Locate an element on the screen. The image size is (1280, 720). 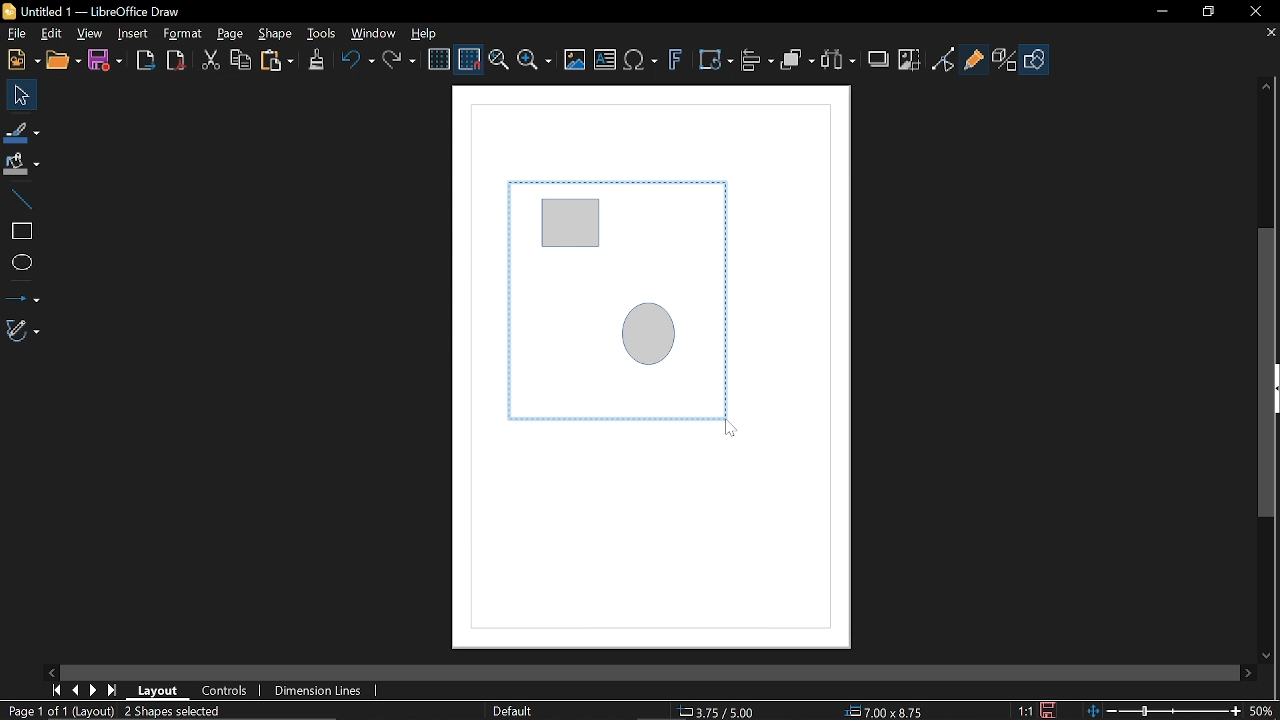
Save as pdf is located at coordinates (175, 60).